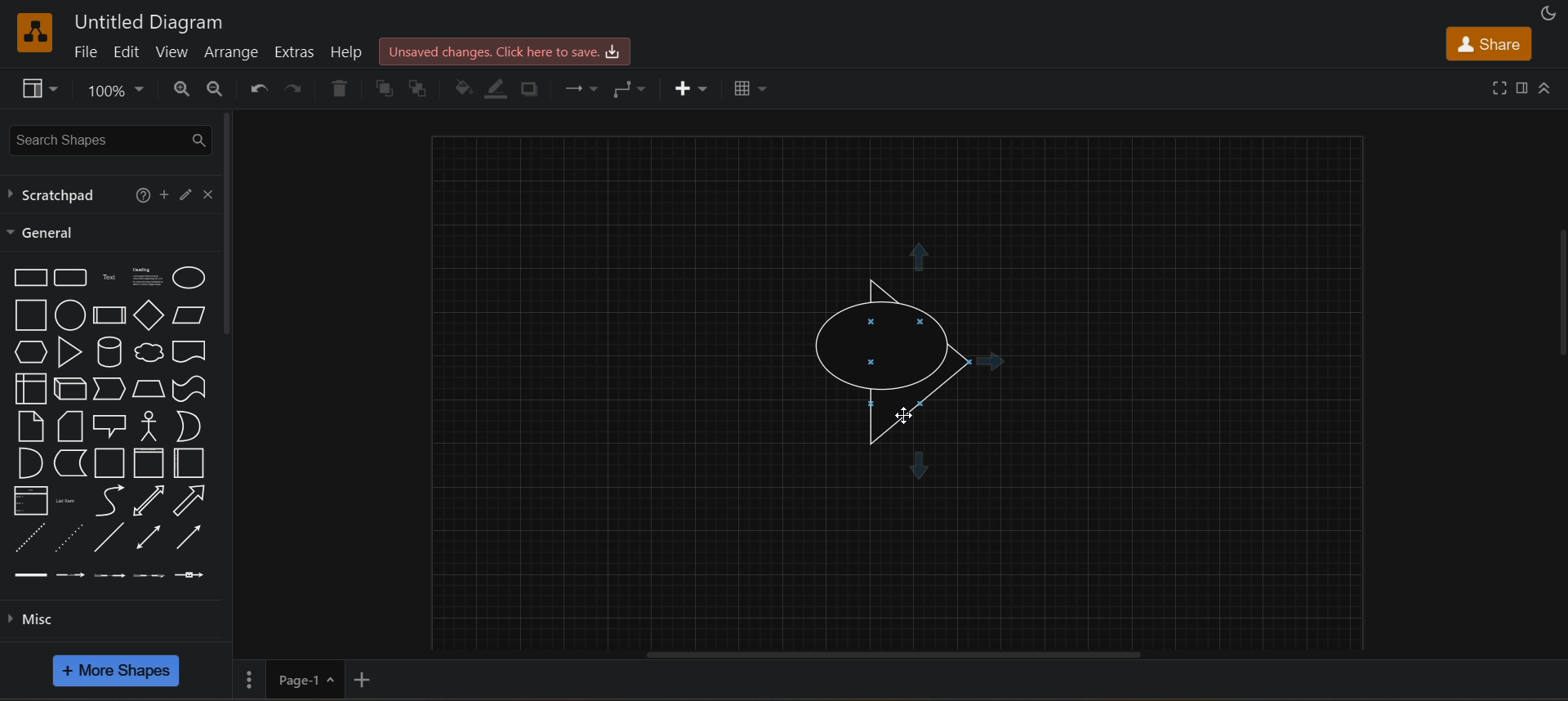  I want to click on table, so click(750, 89).